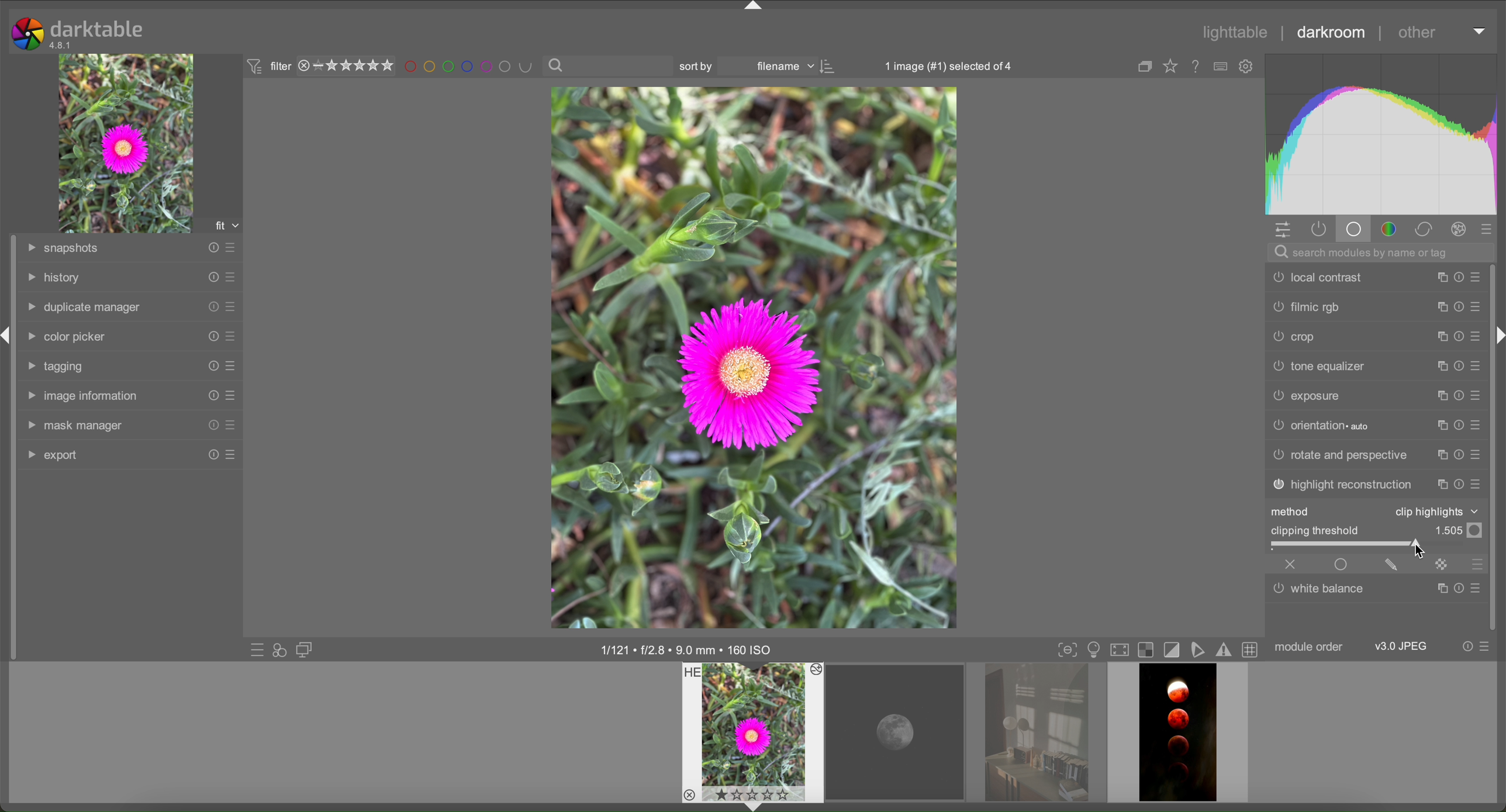 The width and height of the screenshot is (1506, 812). What do you see at coordinates (1342, 564) in the screenshot?
I see `enable` at bounding box center [1342, 564].